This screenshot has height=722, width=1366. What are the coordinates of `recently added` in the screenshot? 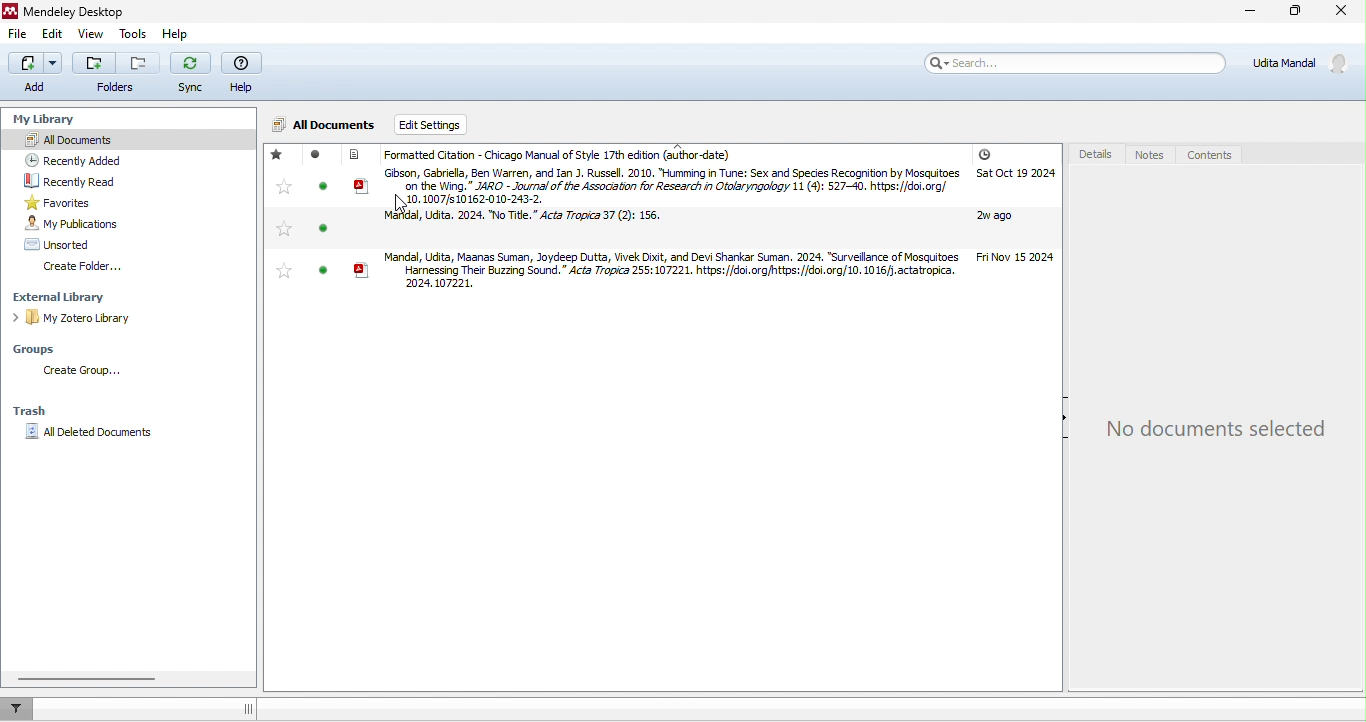 It's located at (79, 160).